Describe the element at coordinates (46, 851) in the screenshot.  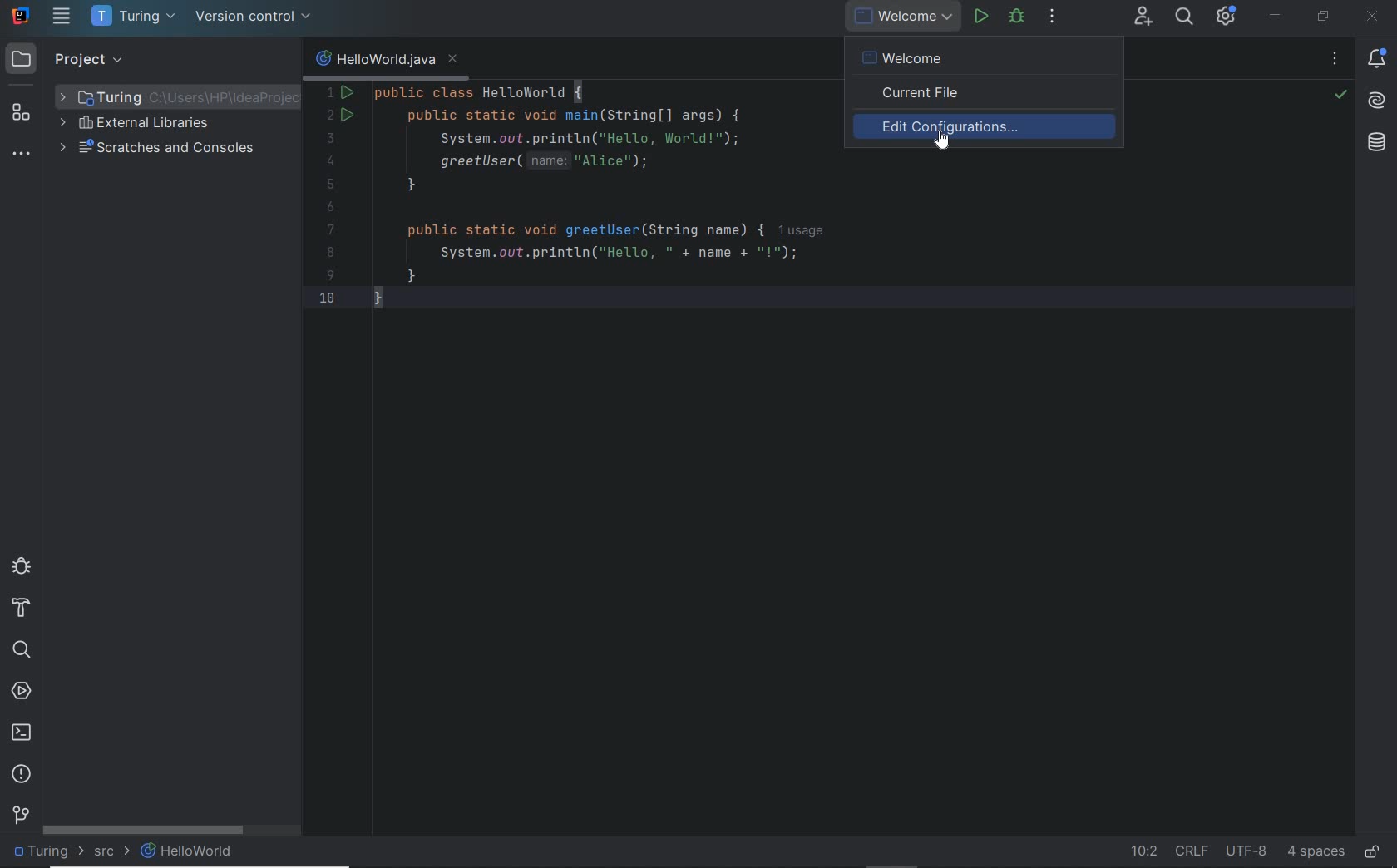
I see `project file` at that location.